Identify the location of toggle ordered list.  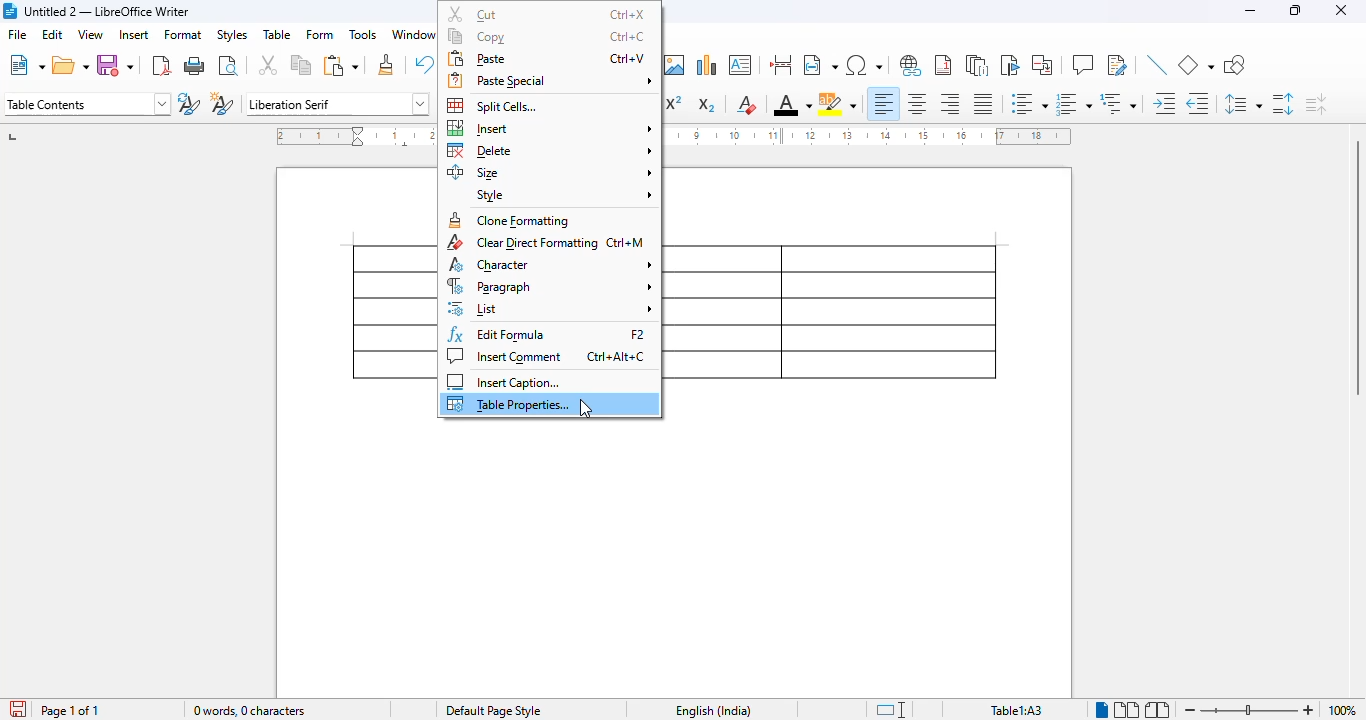
(1072, 103).